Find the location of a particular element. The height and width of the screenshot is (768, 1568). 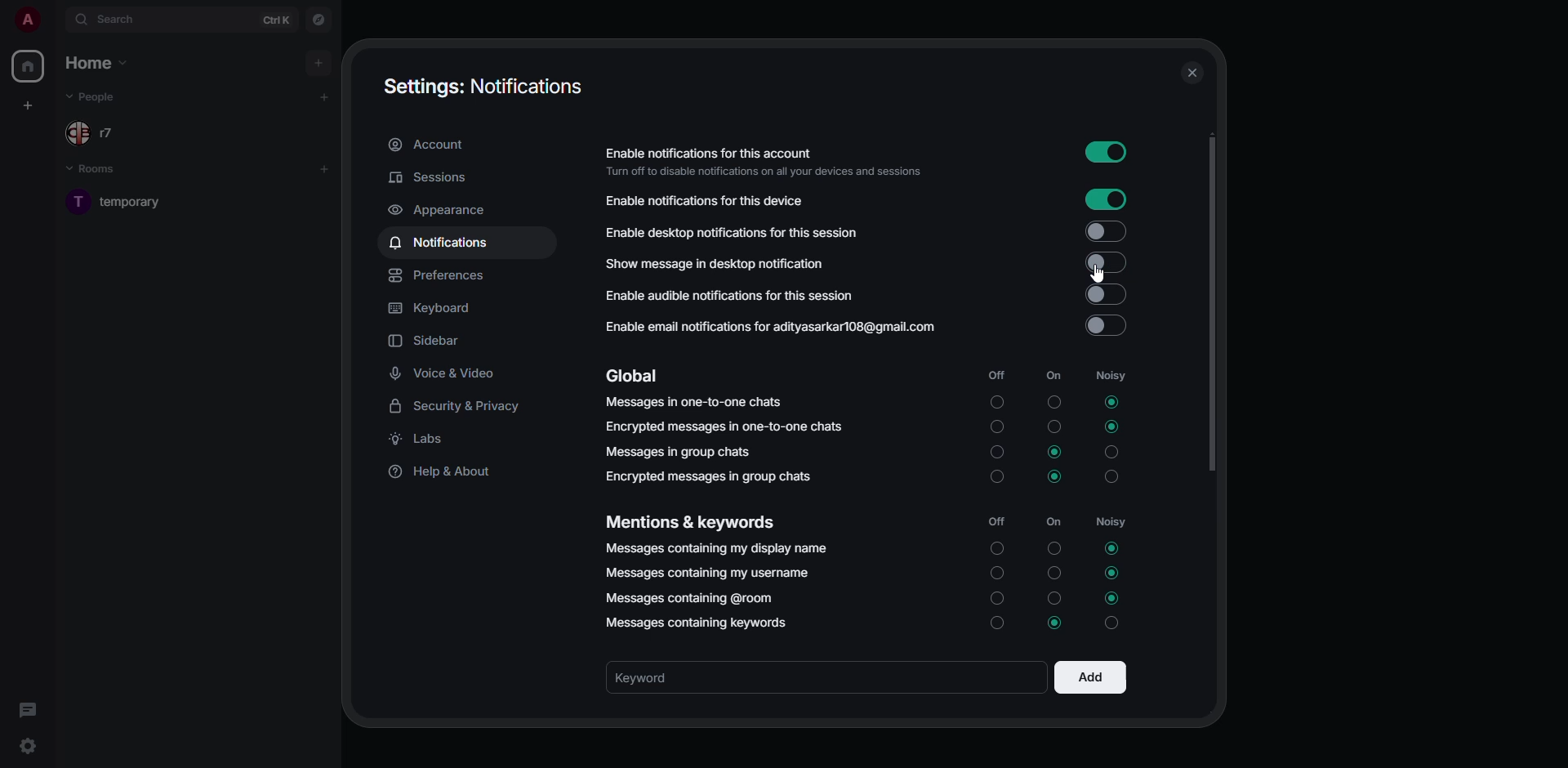

add is located at coordinates (322, 96).